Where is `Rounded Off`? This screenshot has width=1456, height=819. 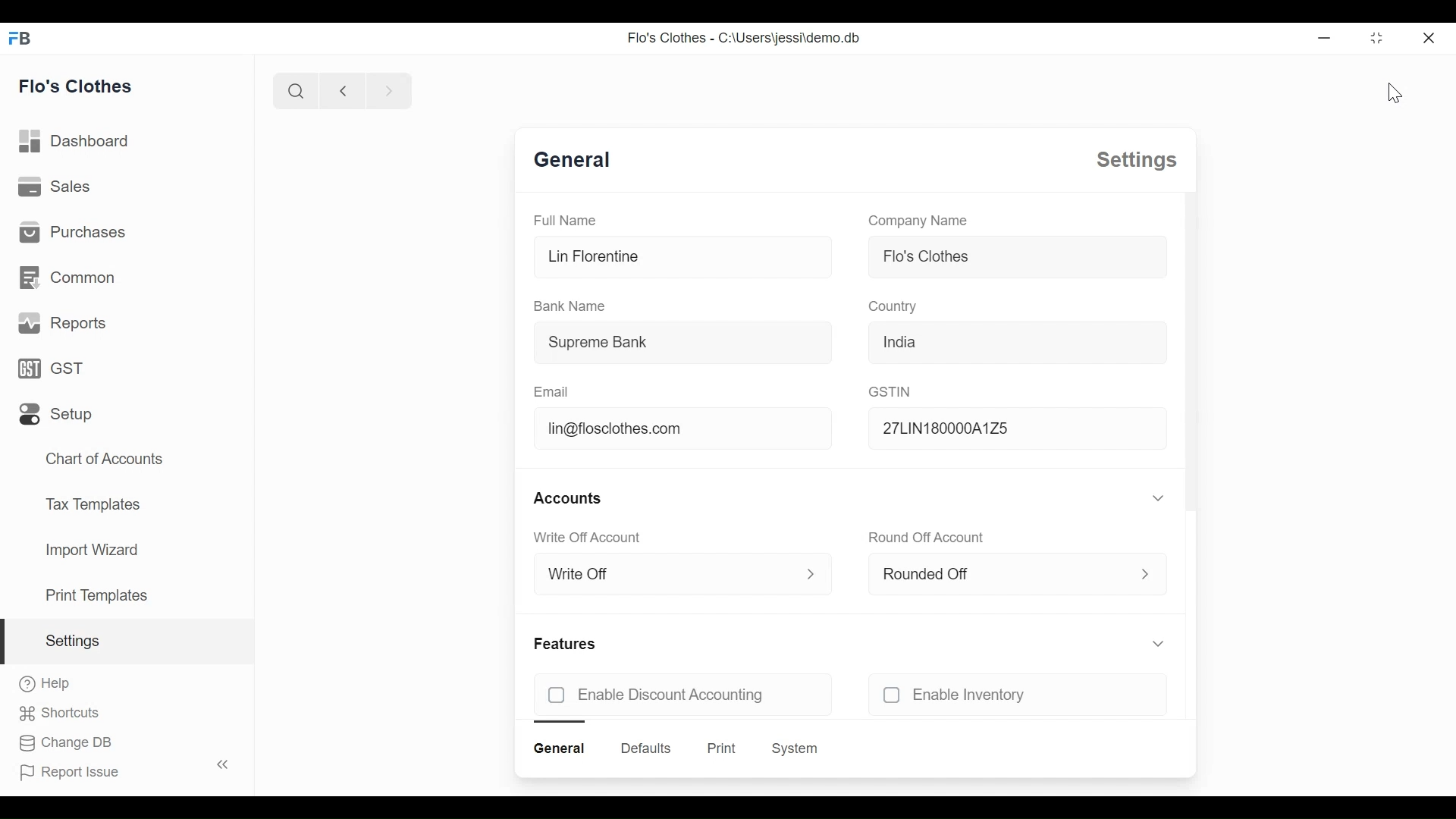
Rounded Off is located at coordinates (933, 575).